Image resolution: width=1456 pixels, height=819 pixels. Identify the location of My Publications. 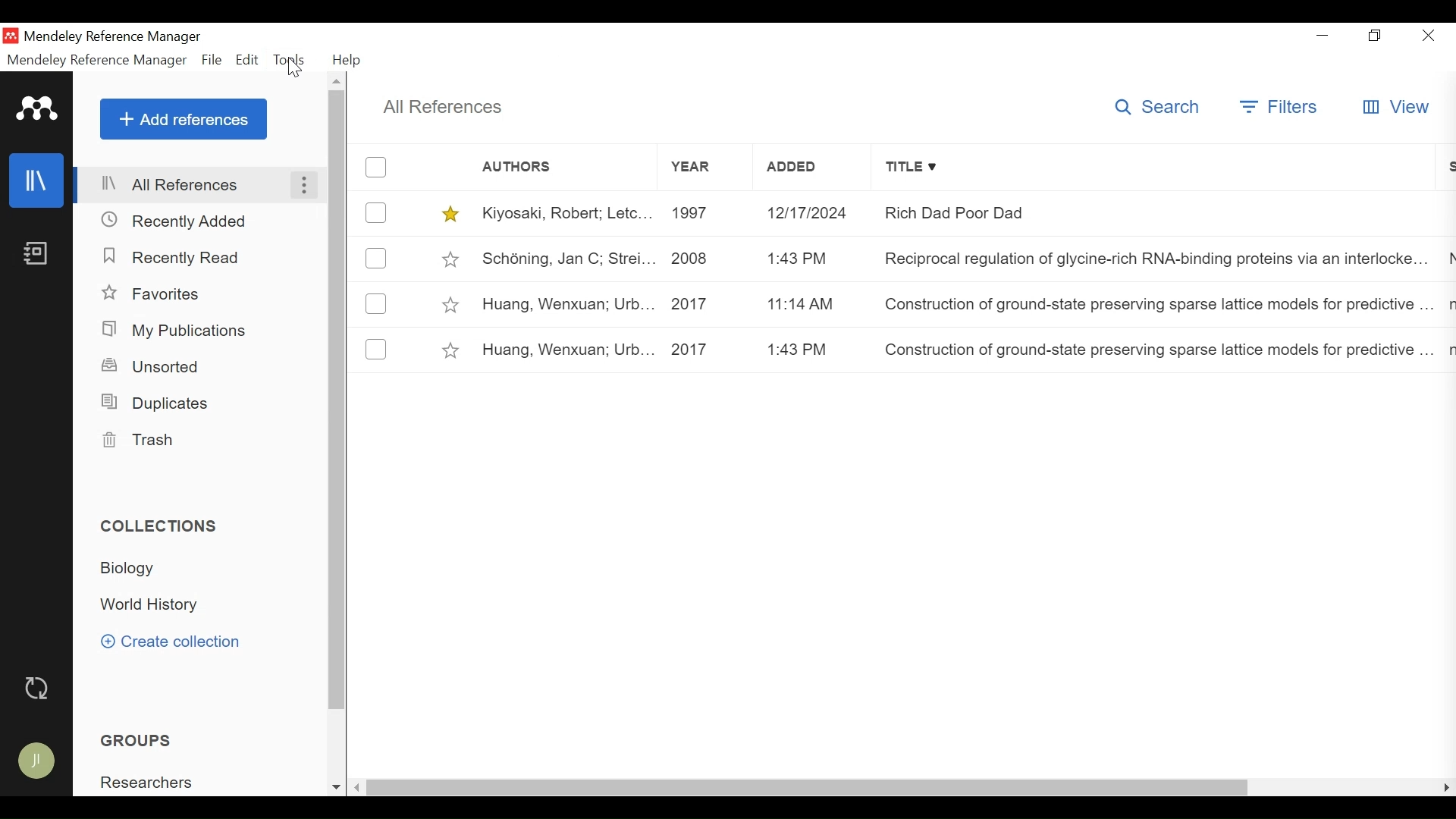
(174, 331).